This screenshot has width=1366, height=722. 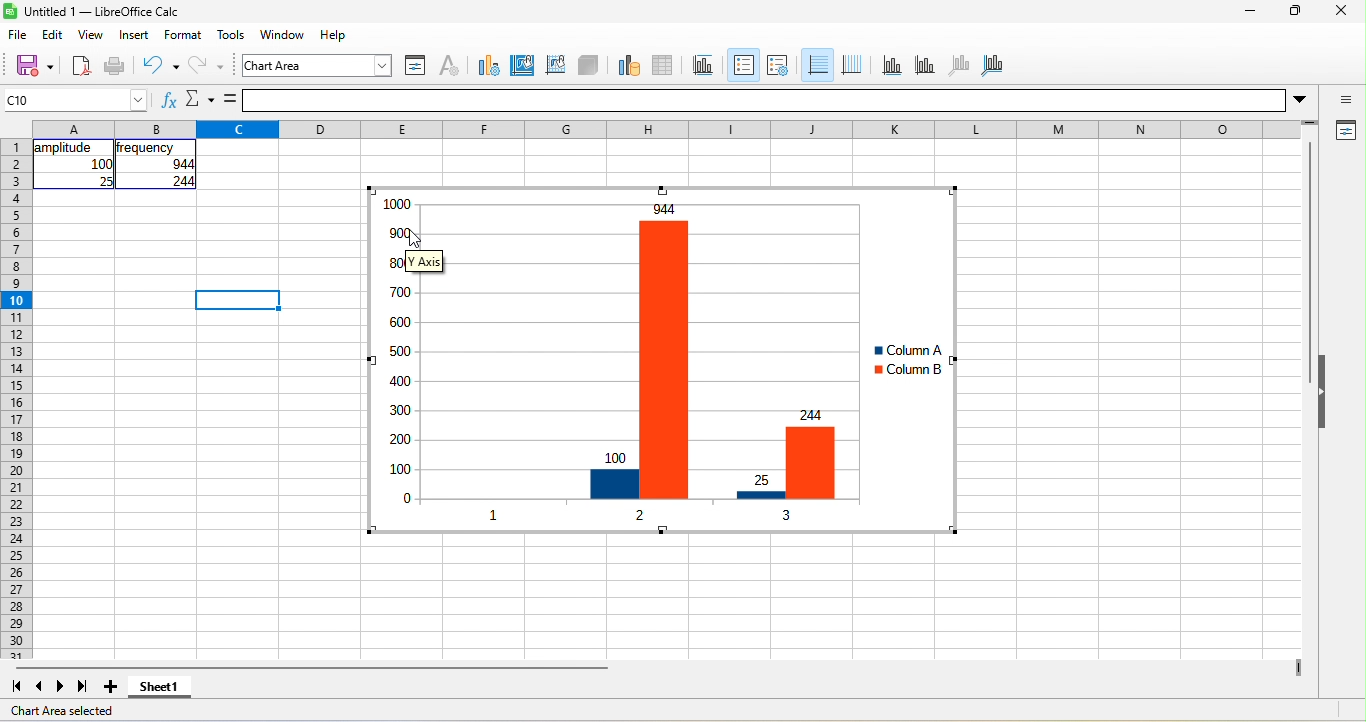 I want to click on minimize, so click(x=1248, y=13).